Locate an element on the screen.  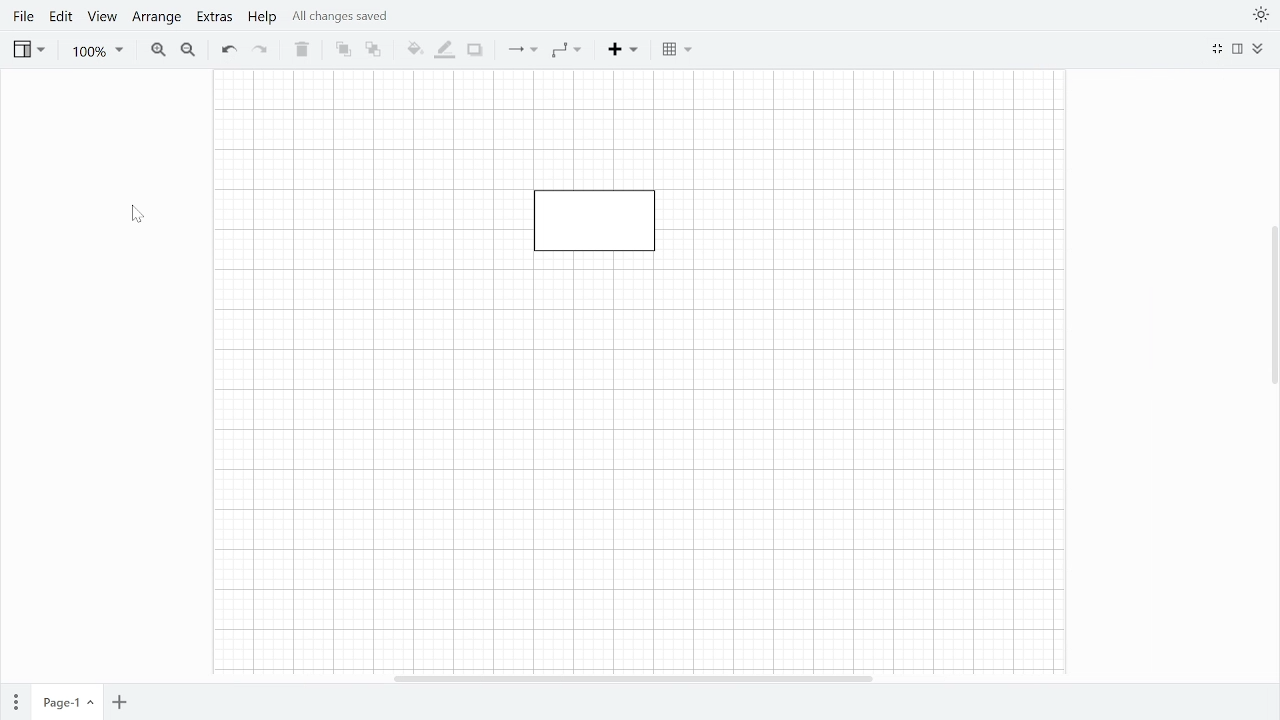
current page is located at coordinates (66, 701).